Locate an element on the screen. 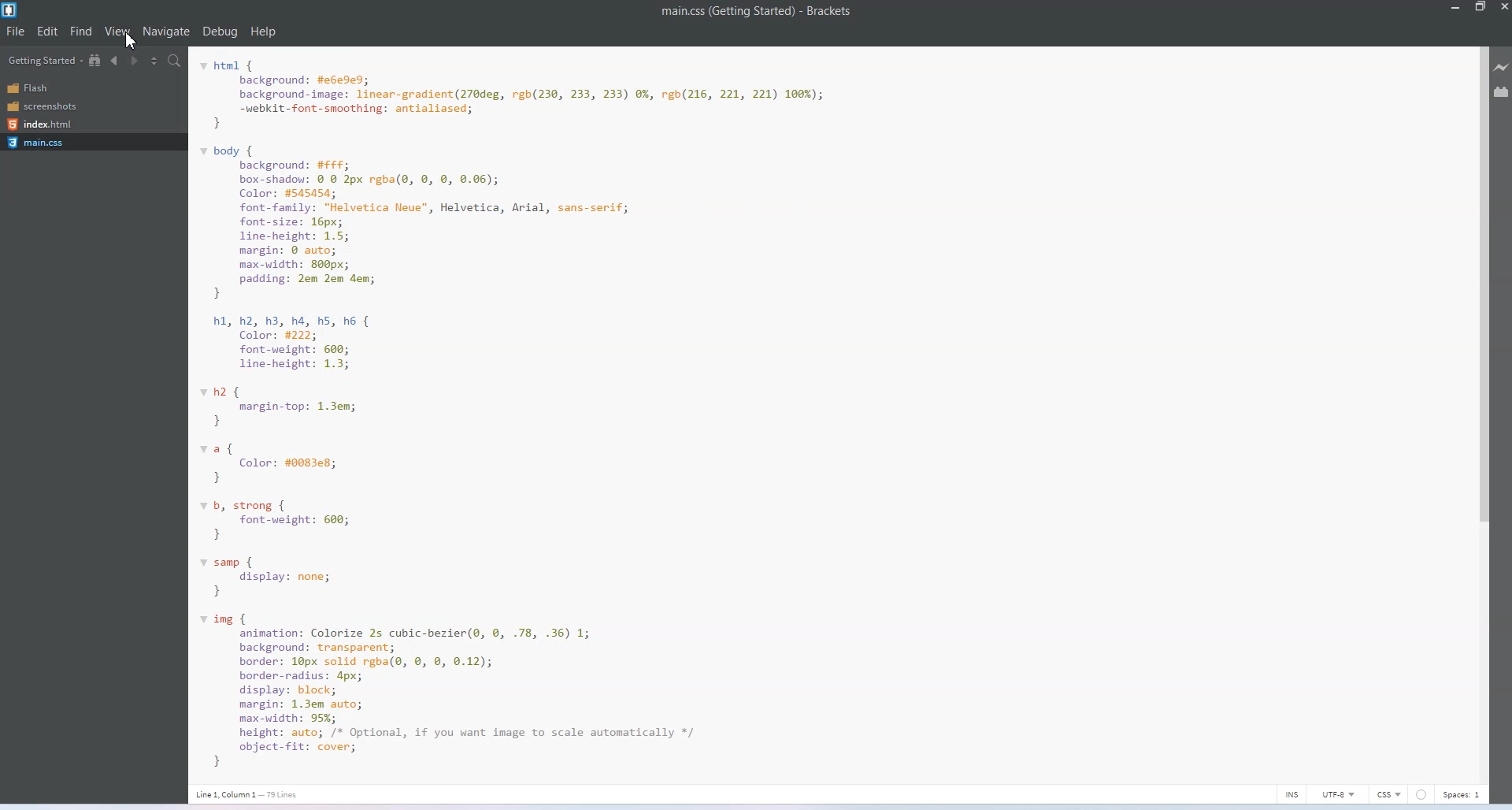 Image resolution: width=1512 pixels, height=810 pixels. Minimize is located at coordinates (1456, 7).